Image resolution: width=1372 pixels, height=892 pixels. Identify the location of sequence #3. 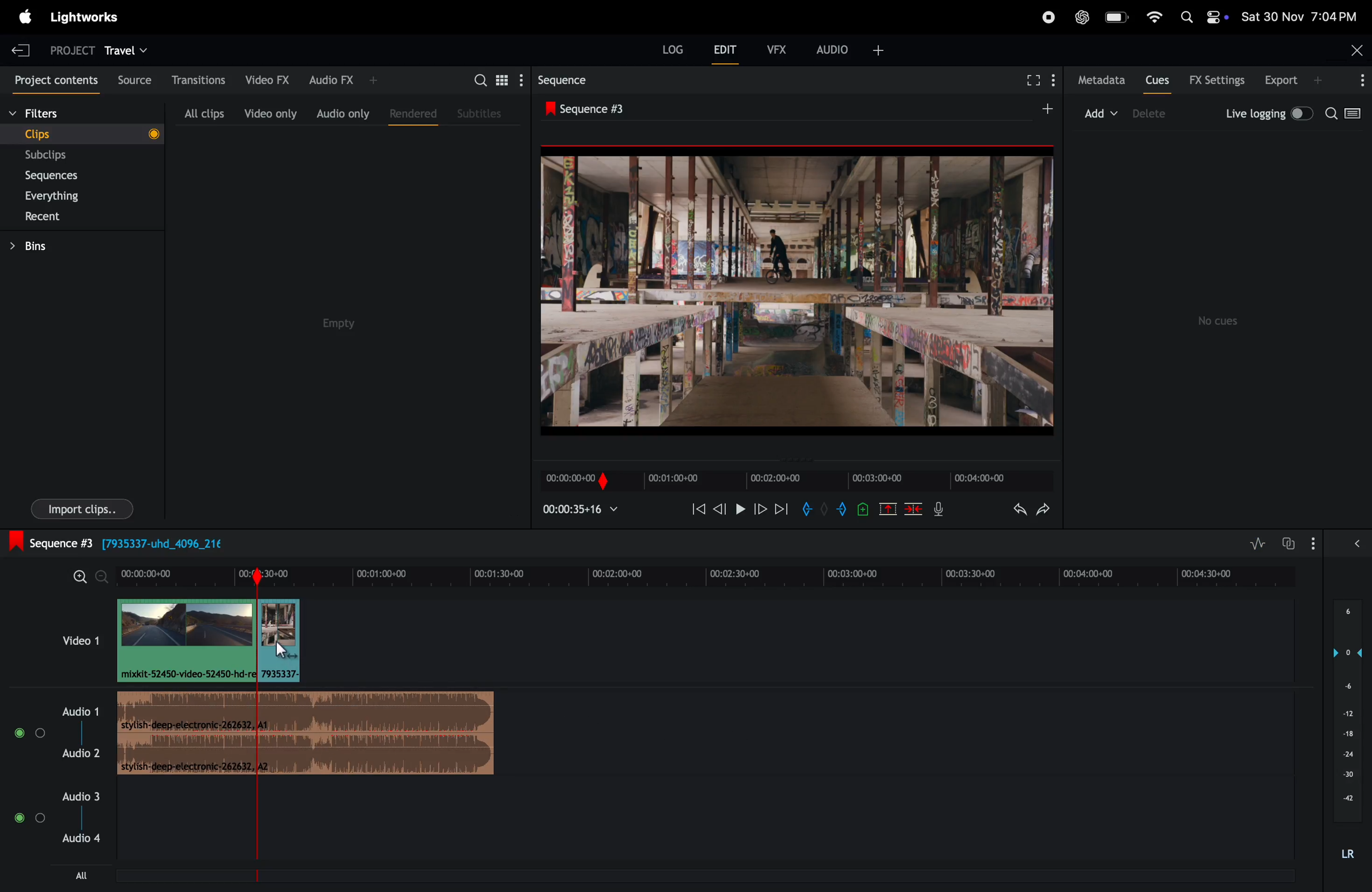
(599, 106).